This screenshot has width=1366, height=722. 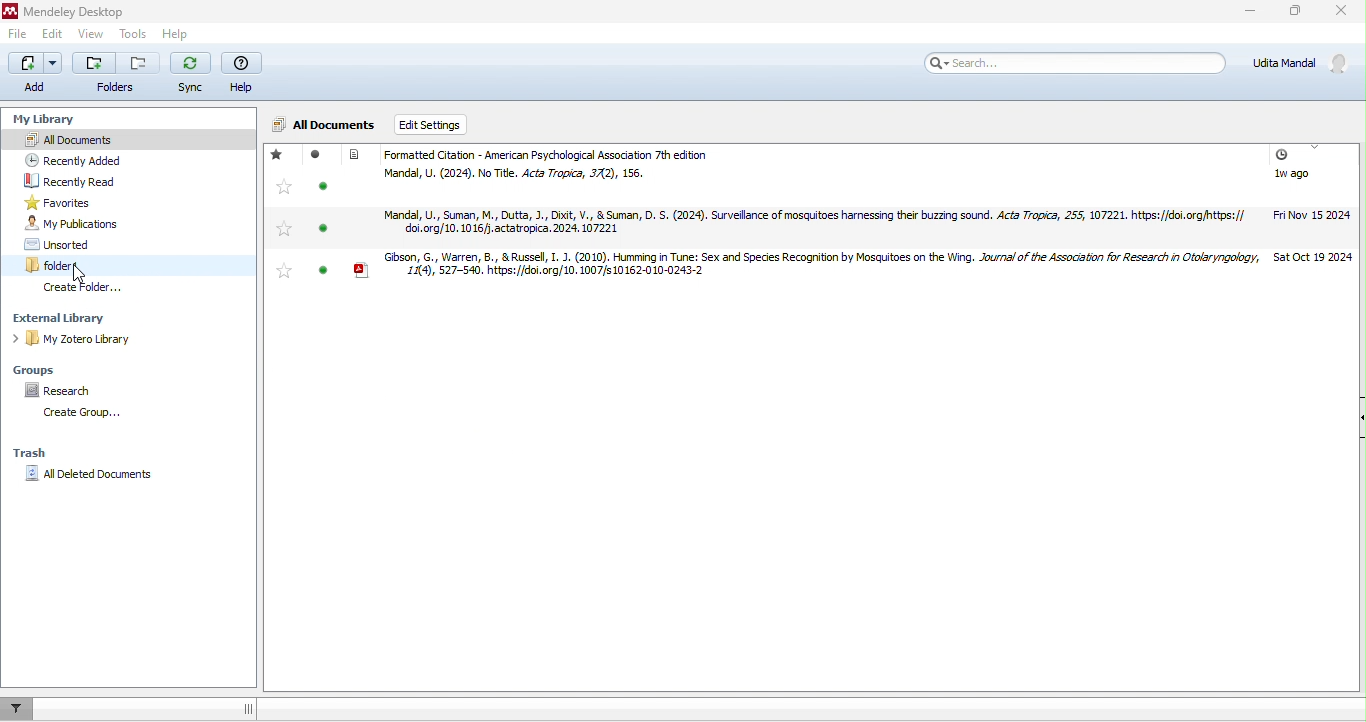 I want to click on add, so click(x=39, y=74).